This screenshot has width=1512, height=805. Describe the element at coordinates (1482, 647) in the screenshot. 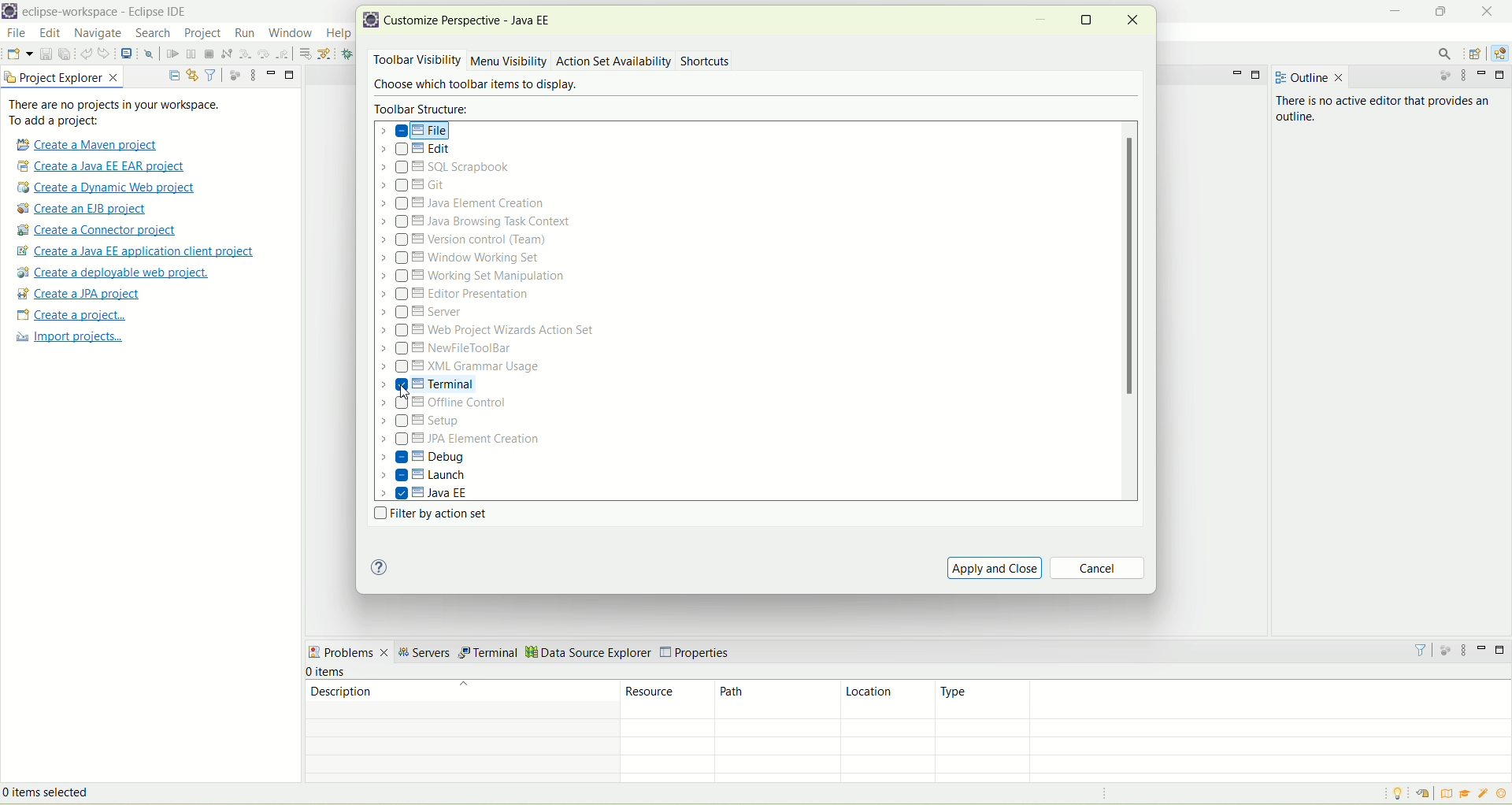

I see `minimize` at that location.